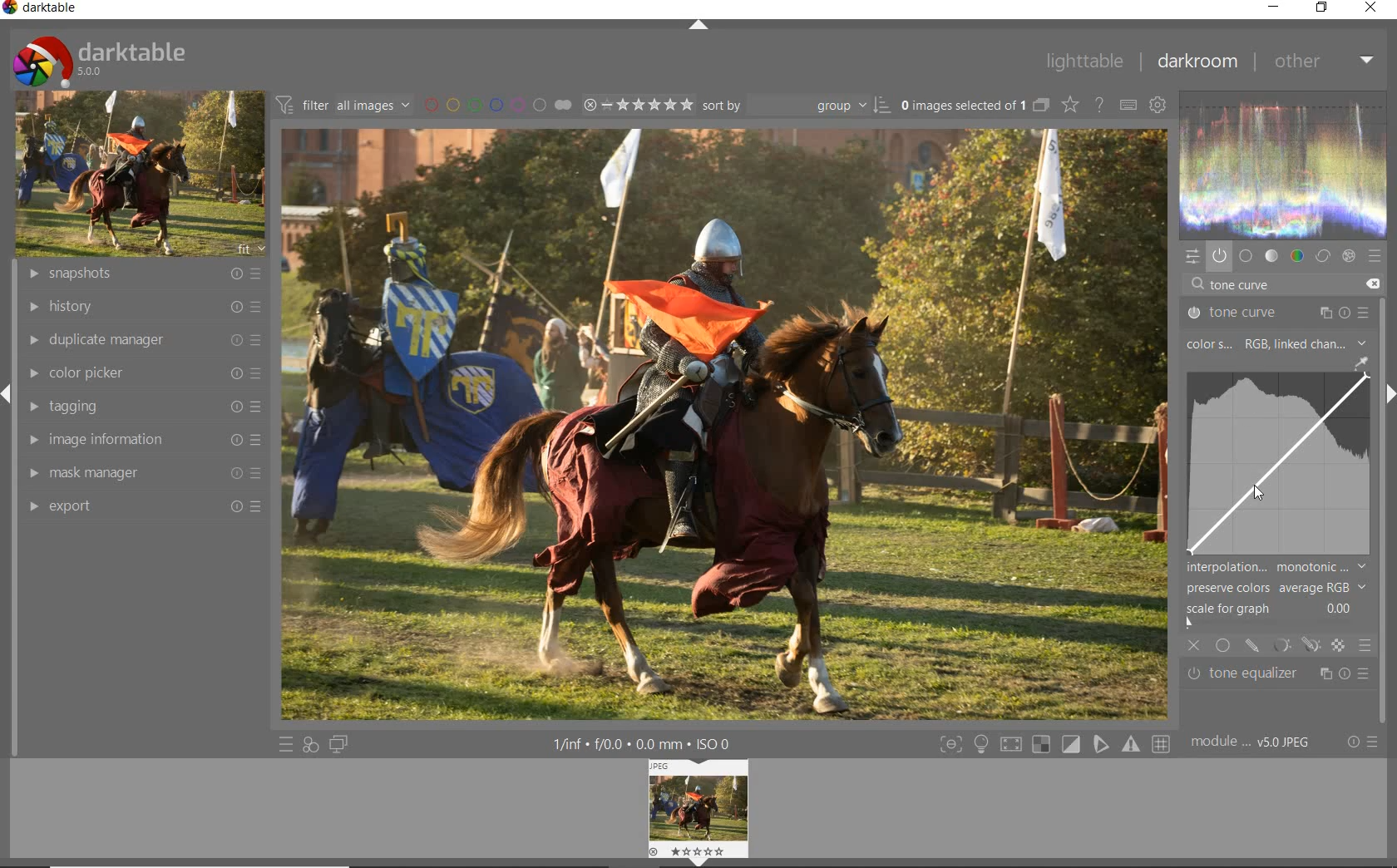  Describe the element at coordinates (141, 475) in the screenshot. I see `mask manager` at that location.